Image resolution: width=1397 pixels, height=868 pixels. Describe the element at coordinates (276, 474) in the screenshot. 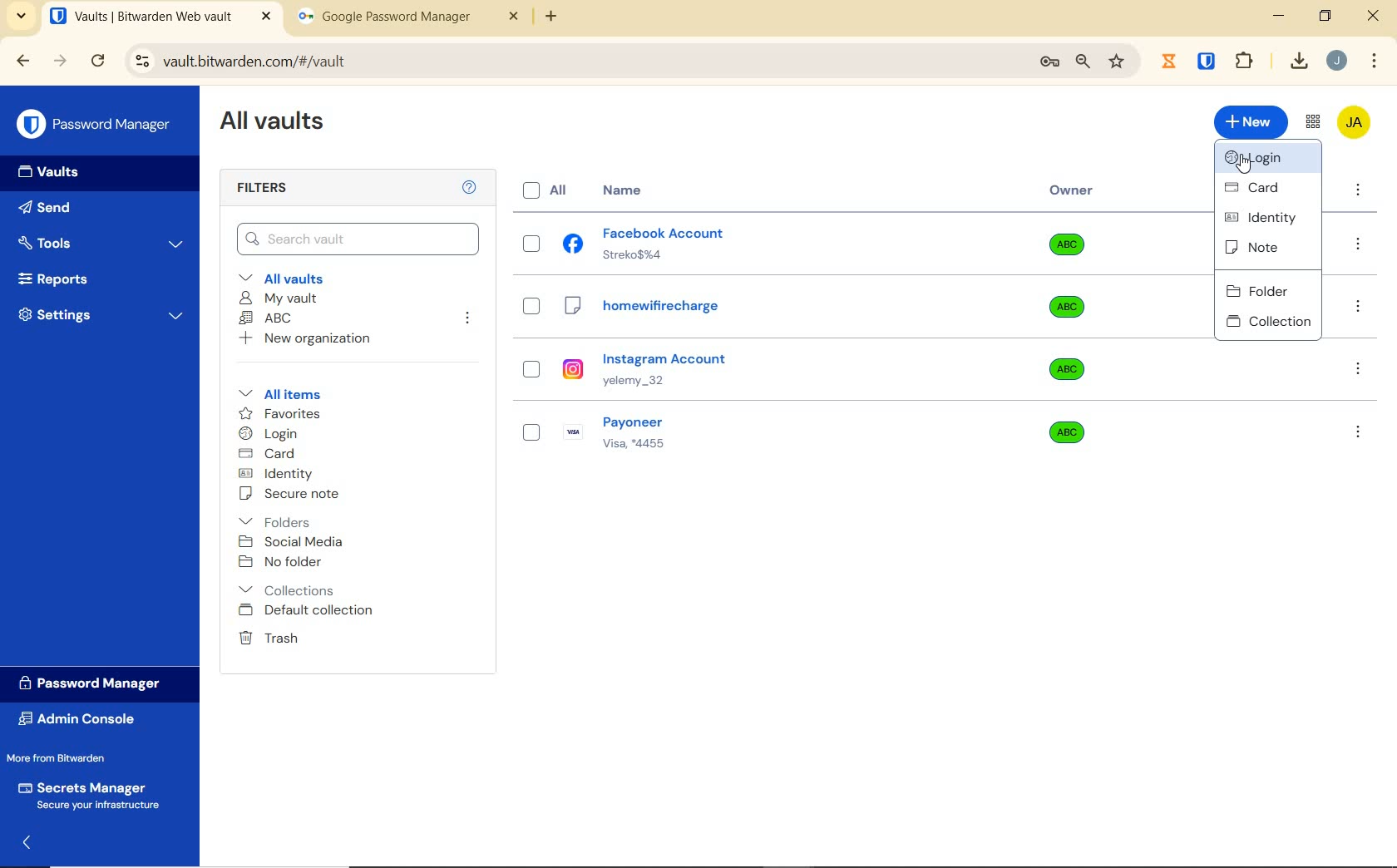

I see `identity` at that location.